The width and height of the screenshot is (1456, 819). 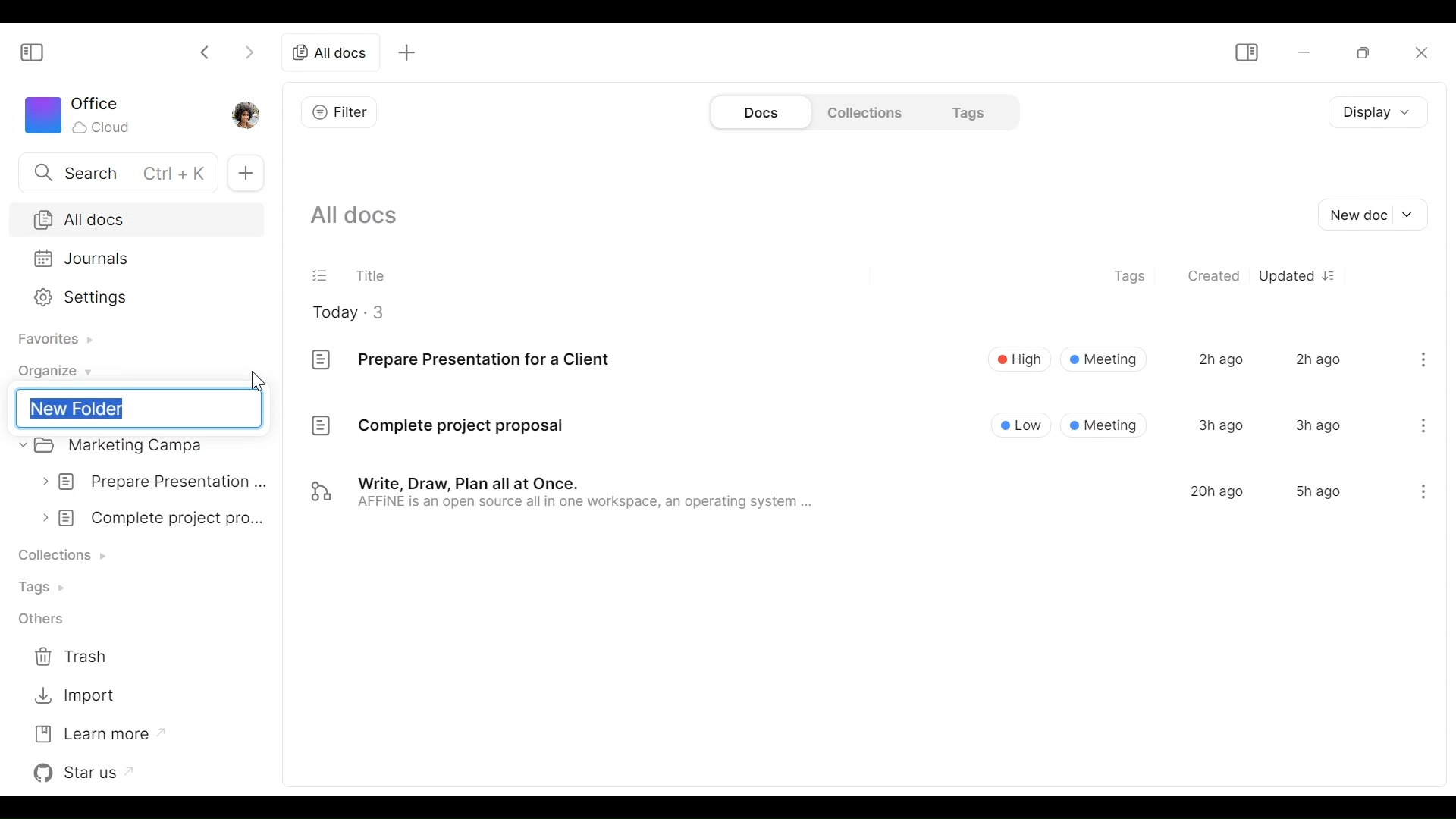 What do you see at coordinates (133, 258) in the screenshot?
I see `Journals` at bounding box center [133, 258].